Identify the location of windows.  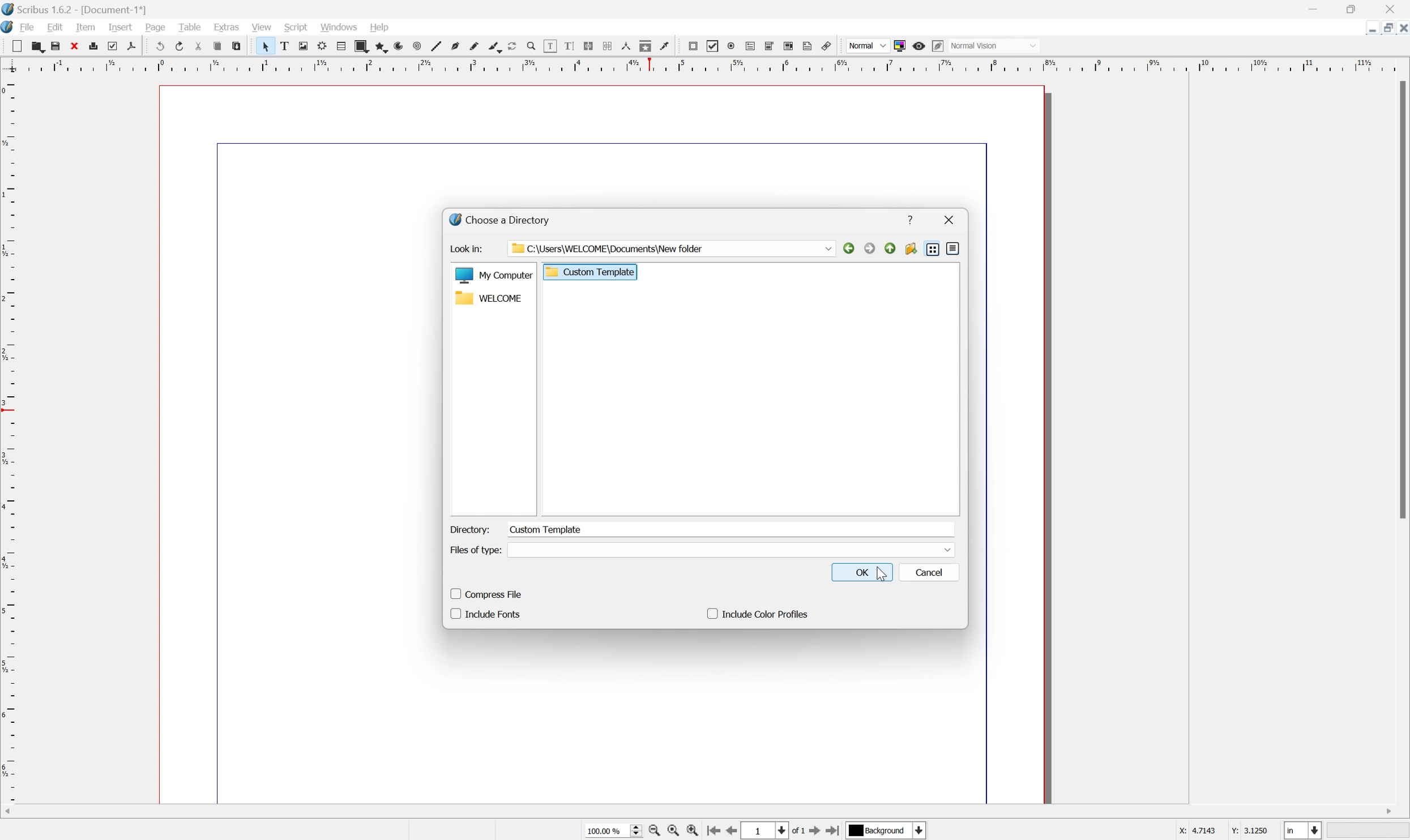
(339, 26).